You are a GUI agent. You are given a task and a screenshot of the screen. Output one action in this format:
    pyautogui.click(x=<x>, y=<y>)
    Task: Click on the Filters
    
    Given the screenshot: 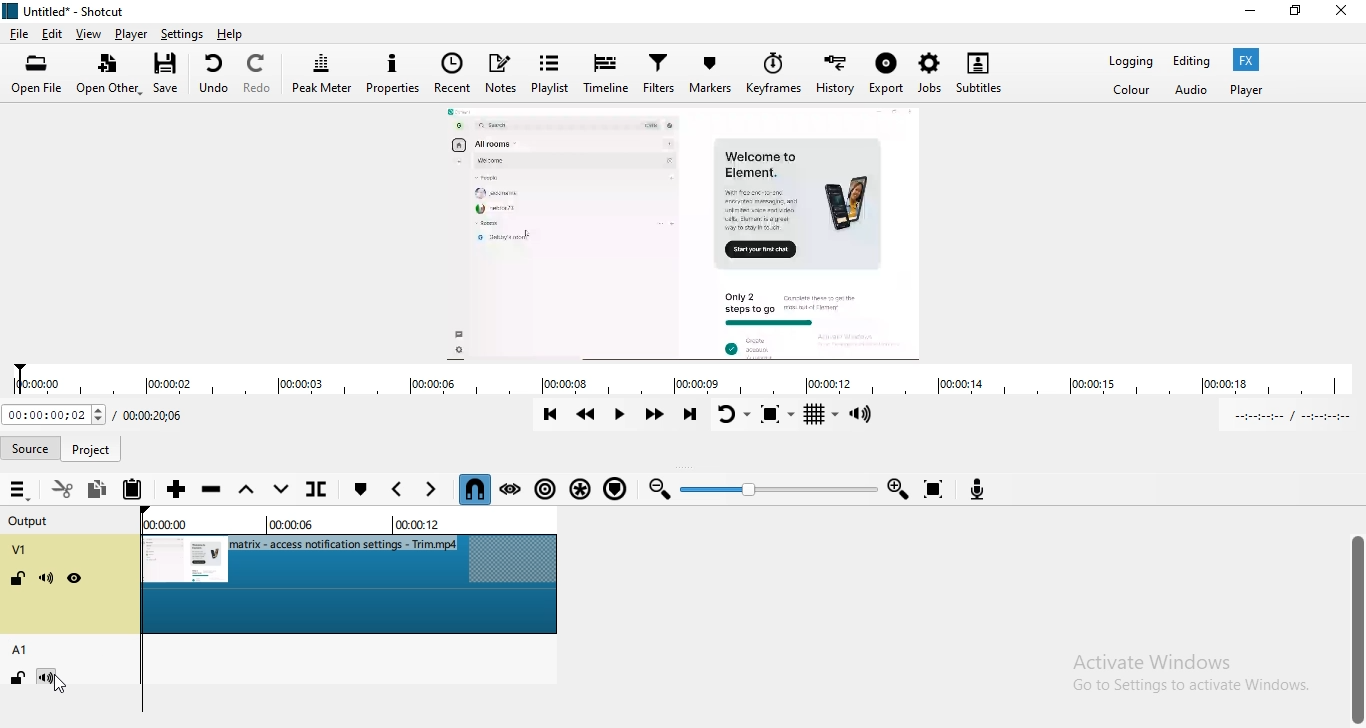 What is the action you would take?
    pyautogui.click(x=659, y=75)
    